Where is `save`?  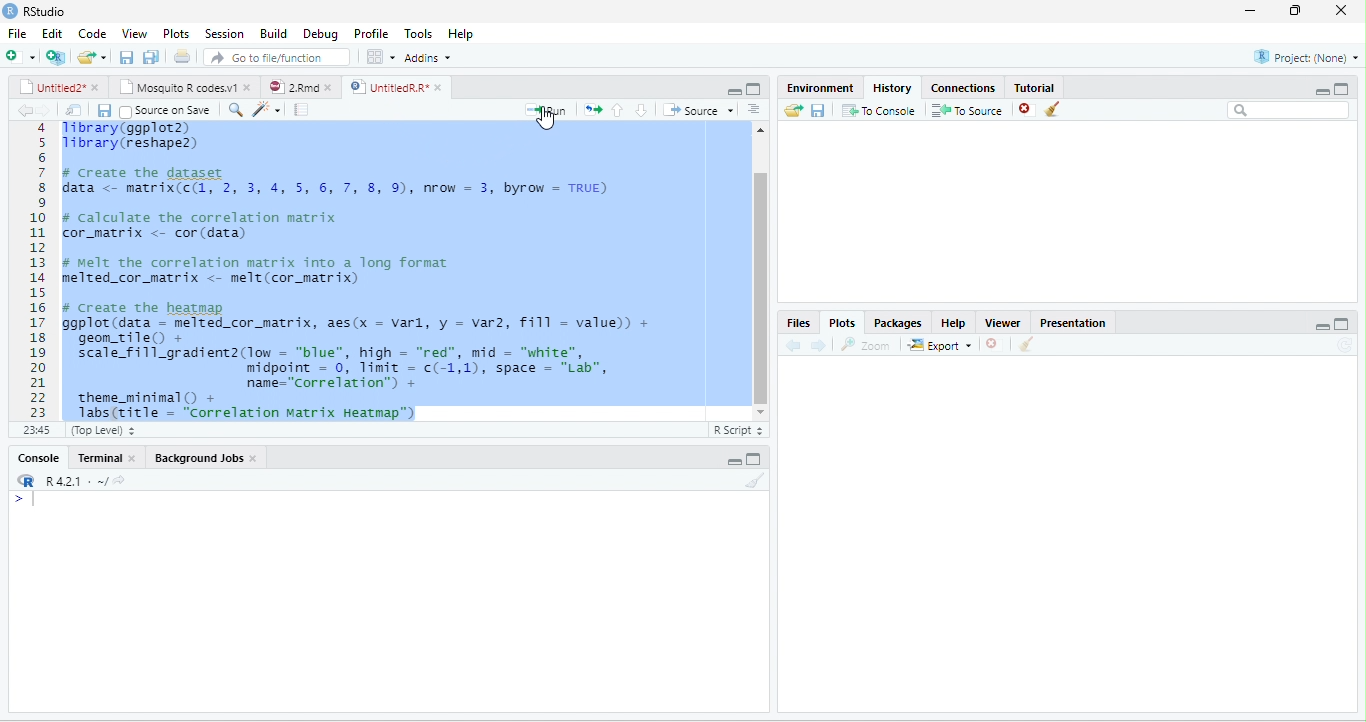
save is located at coordinates (98, 110).